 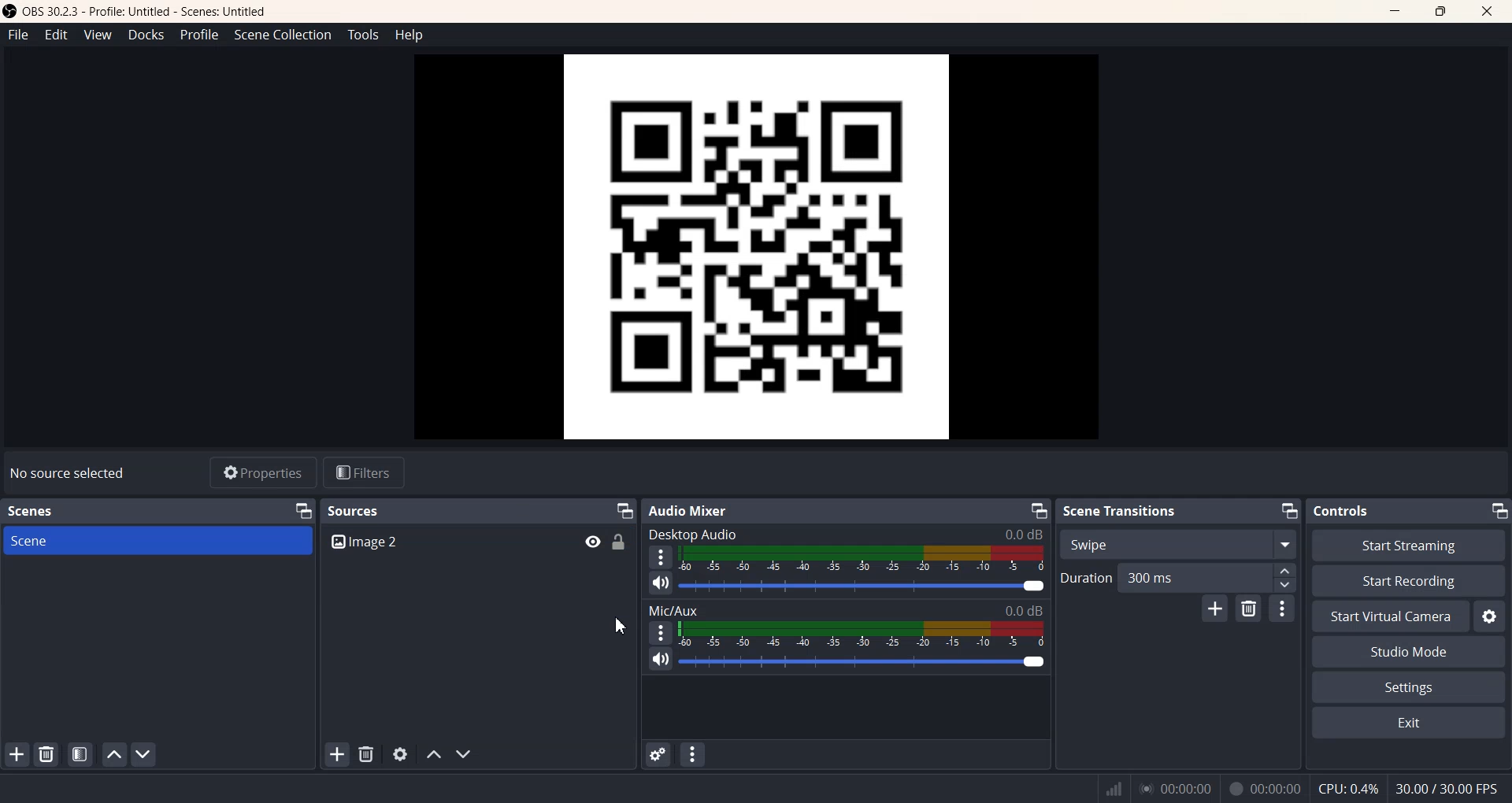 What do you see at coordinates (864, 660) in the screenshot?
I see `Volume Adjuster` at bounding box center [864, 660].